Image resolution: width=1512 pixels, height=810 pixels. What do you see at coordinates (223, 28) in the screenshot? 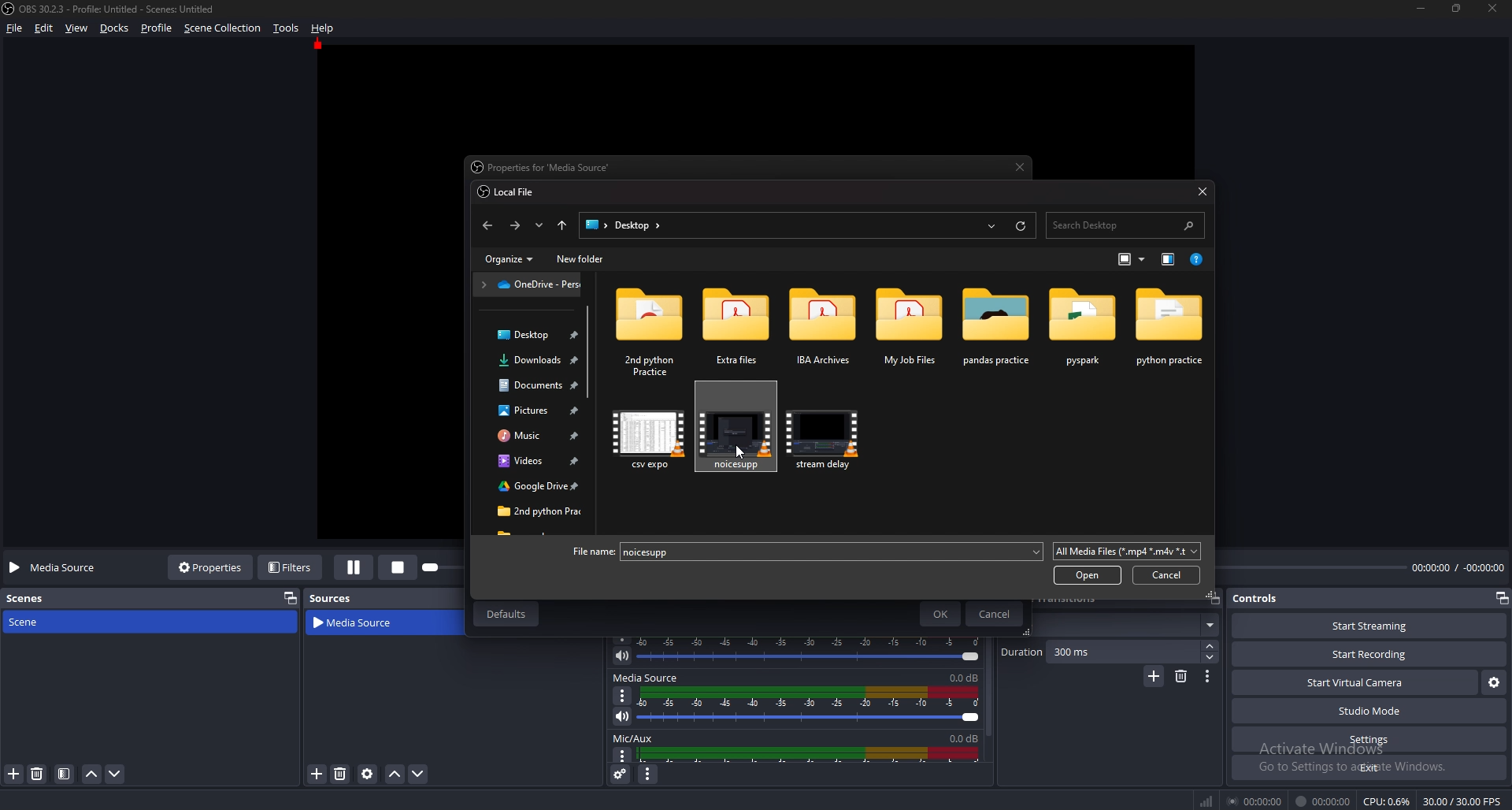
I see `Scene collection` at bounding box center [223, 28].